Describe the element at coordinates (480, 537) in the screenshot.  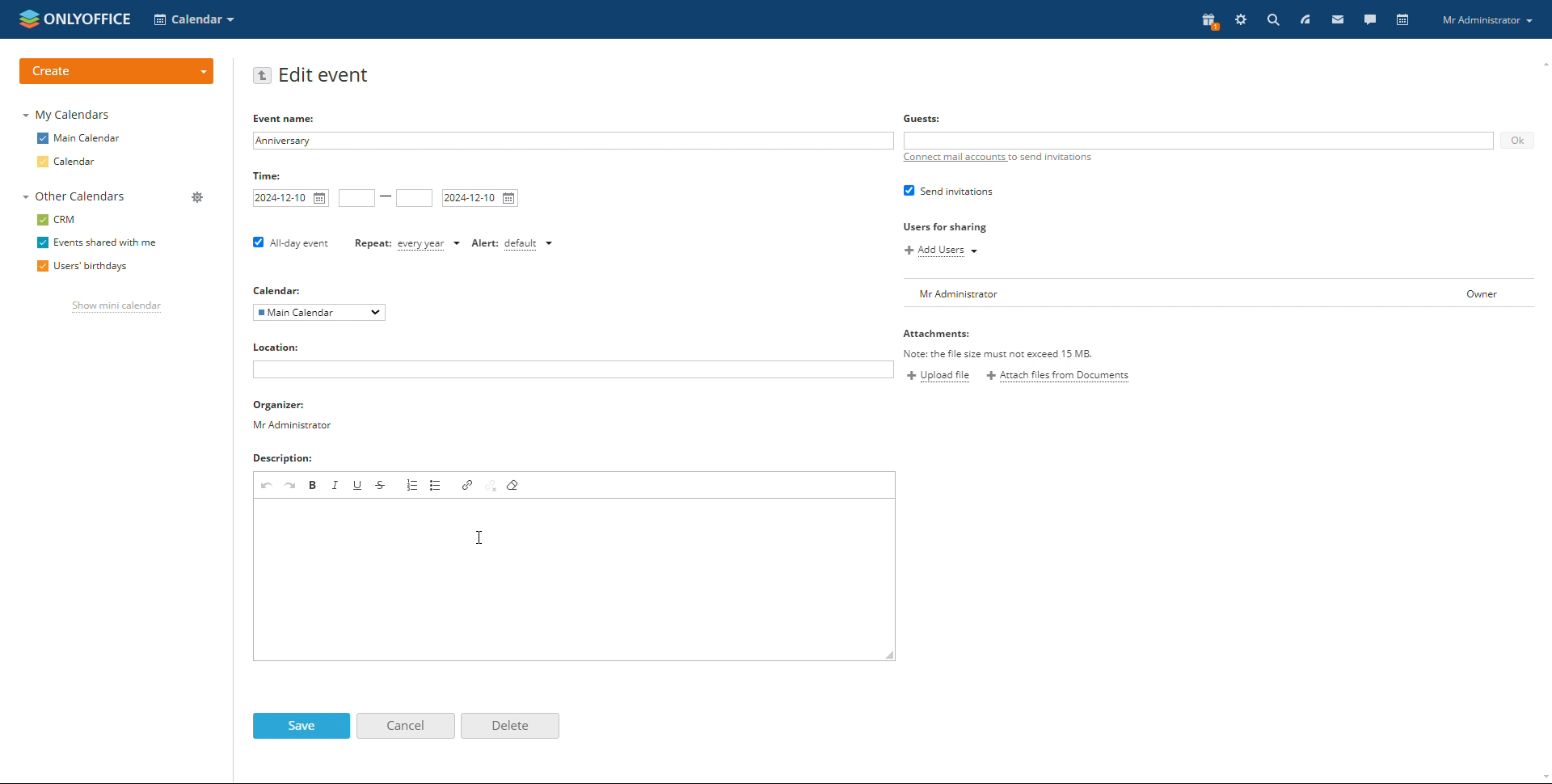
I see `cursor` at that location.